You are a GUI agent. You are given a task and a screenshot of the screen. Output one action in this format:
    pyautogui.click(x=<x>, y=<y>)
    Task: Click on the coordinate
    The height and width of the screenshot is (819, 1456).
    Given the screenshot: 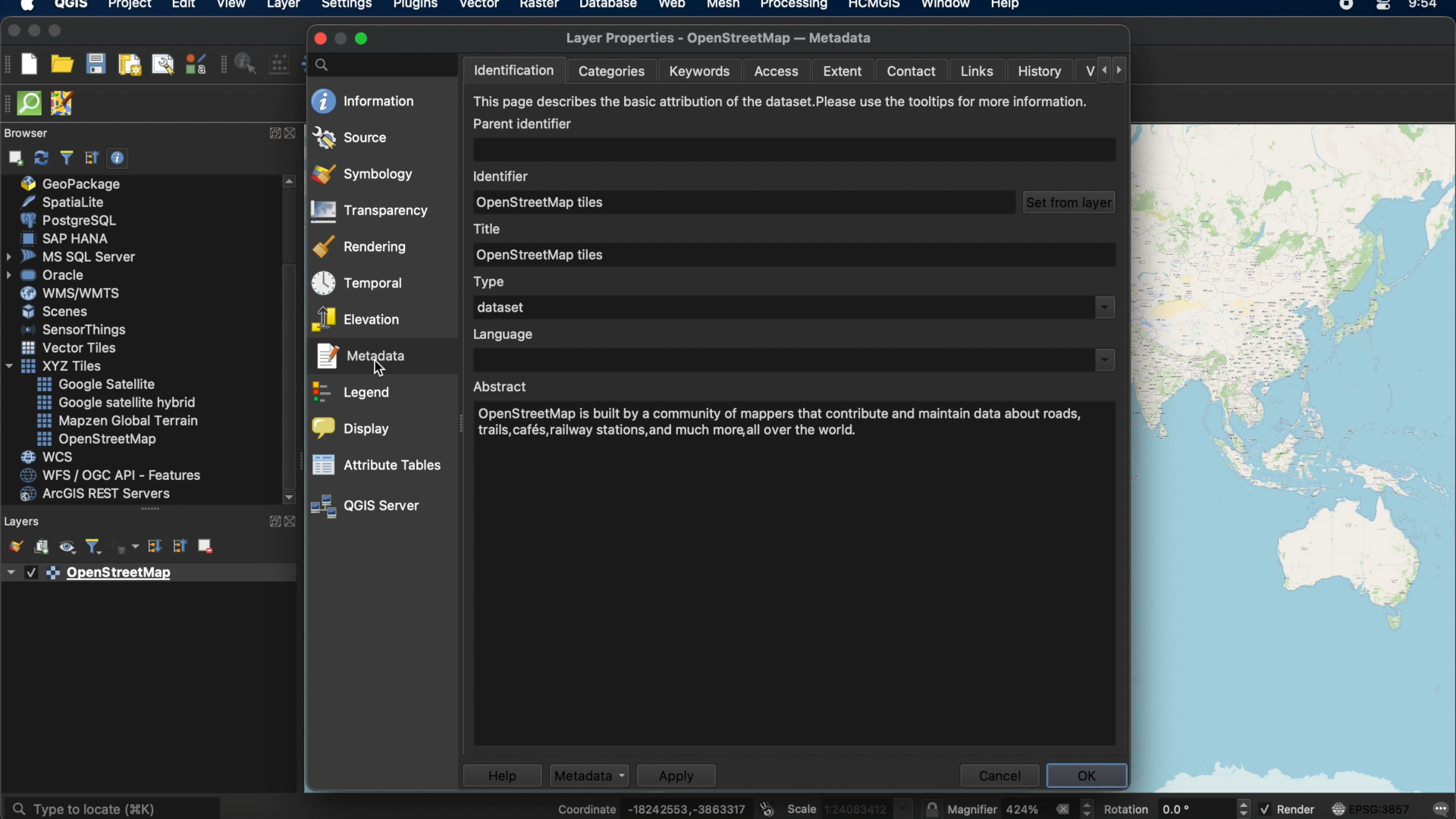 What is the action you would take?
    pyautogui.click(x=651, y=805)
    